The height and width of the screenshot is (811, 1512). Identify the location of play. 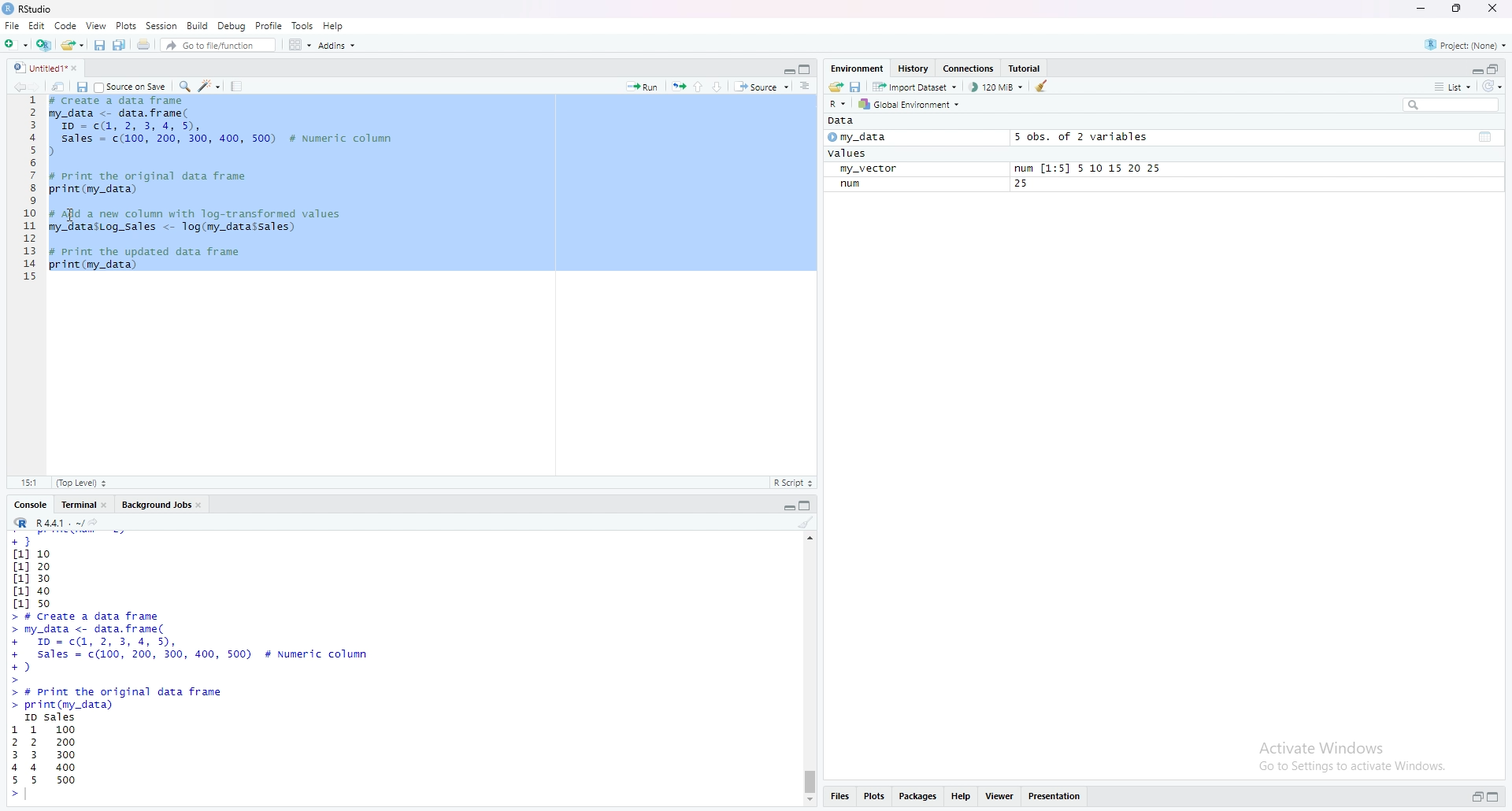
(831, 139).